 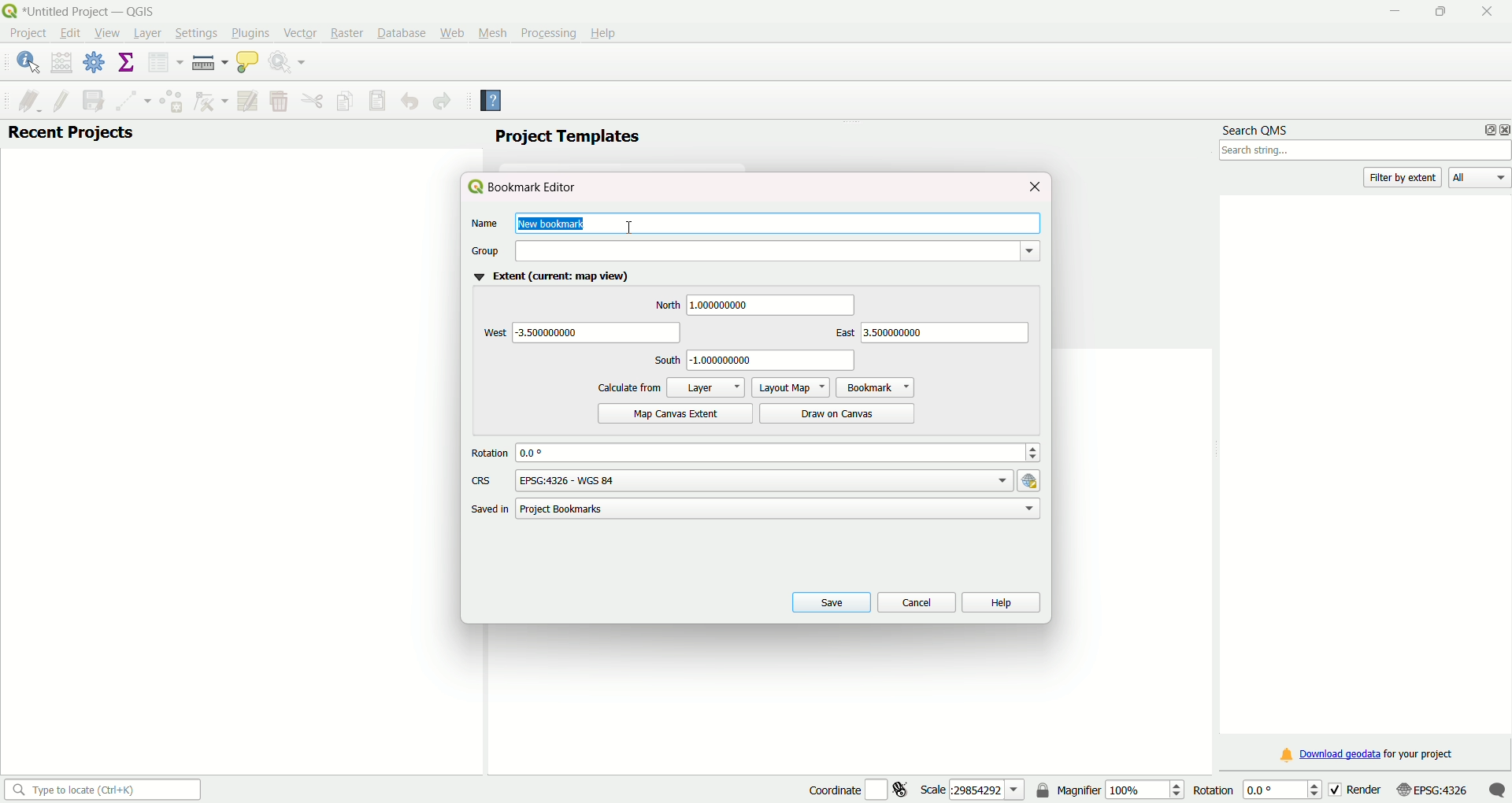 What do you see at coordinates (127, 63) in the screenshot?
I see `show statistical summary` at bounding box center [127, 63].